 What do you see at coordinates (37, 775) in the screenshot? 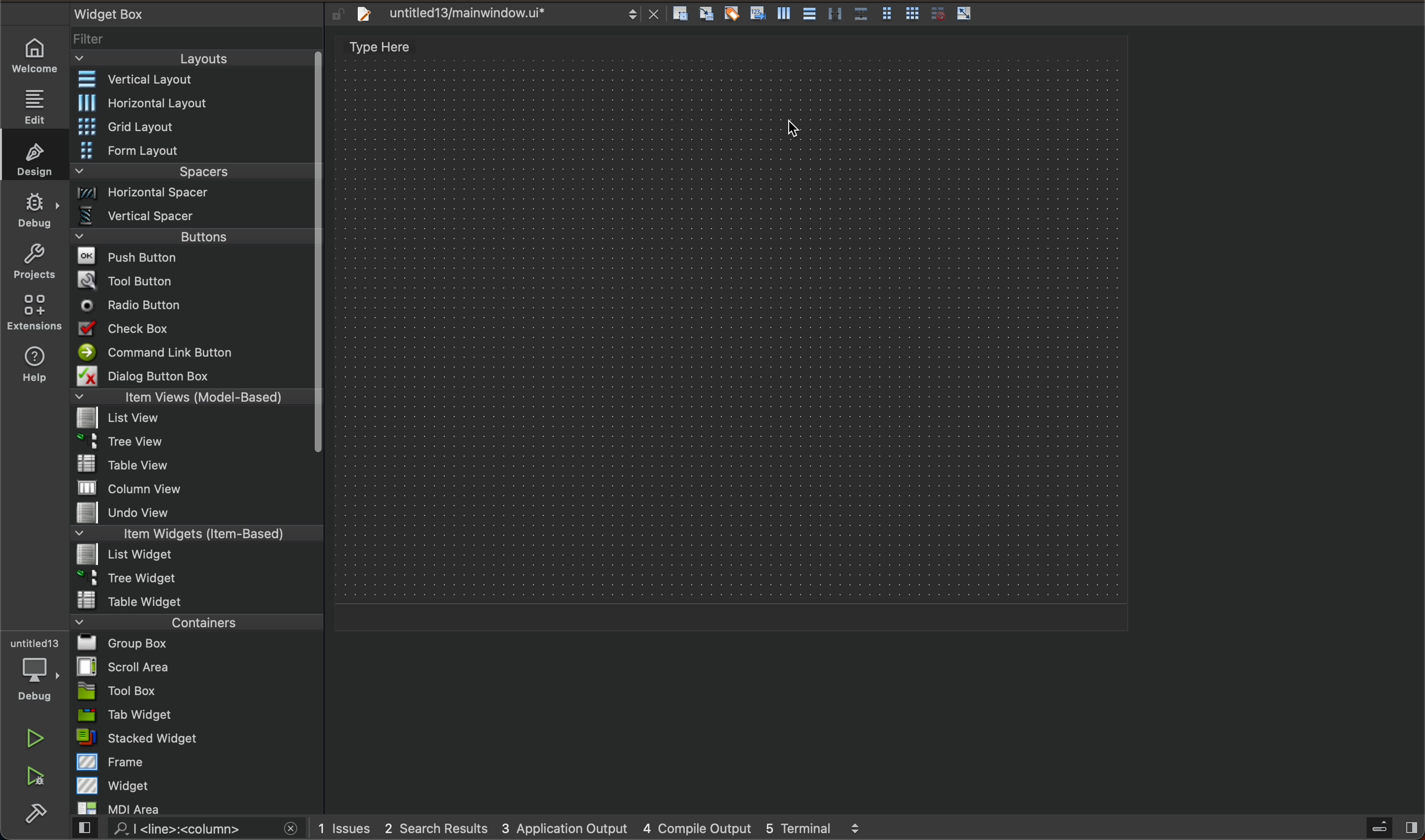
I see `debug and run` at bounding box center [37, 775].